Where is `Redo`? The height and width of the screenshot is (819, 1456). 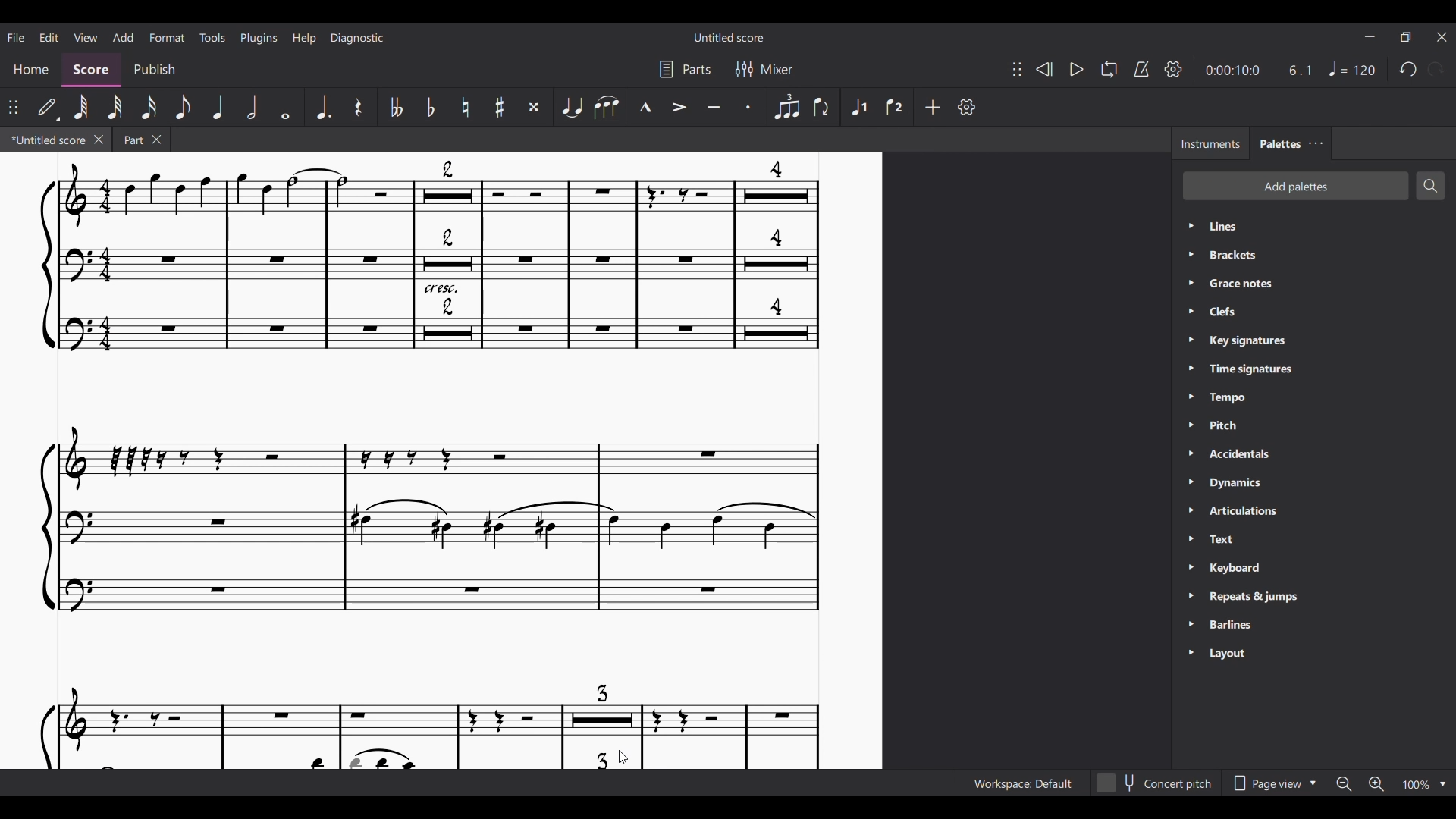 Redo is located at coordinates (1436, 70).